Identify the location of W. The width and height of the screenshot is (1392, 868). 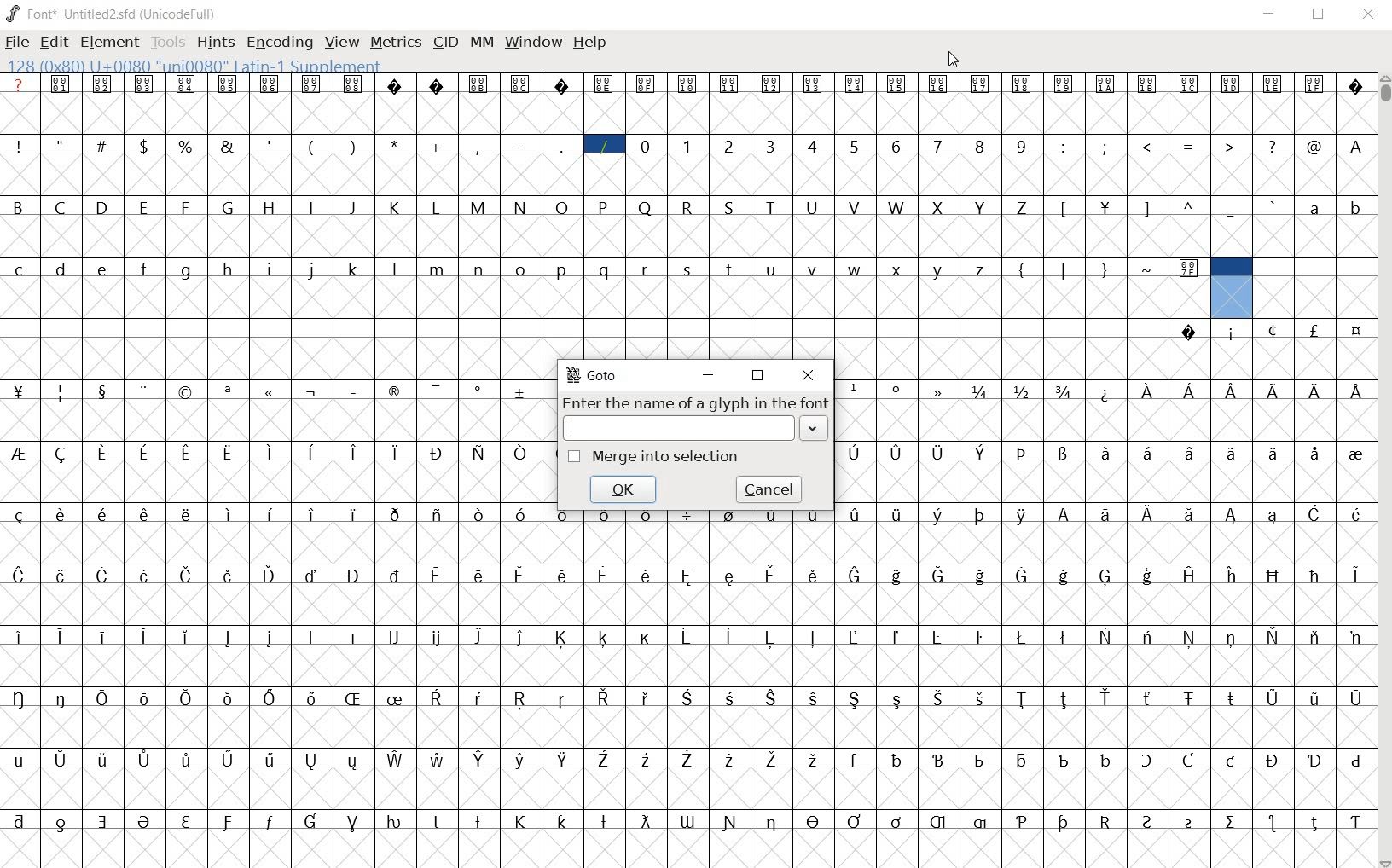
(900, 208).